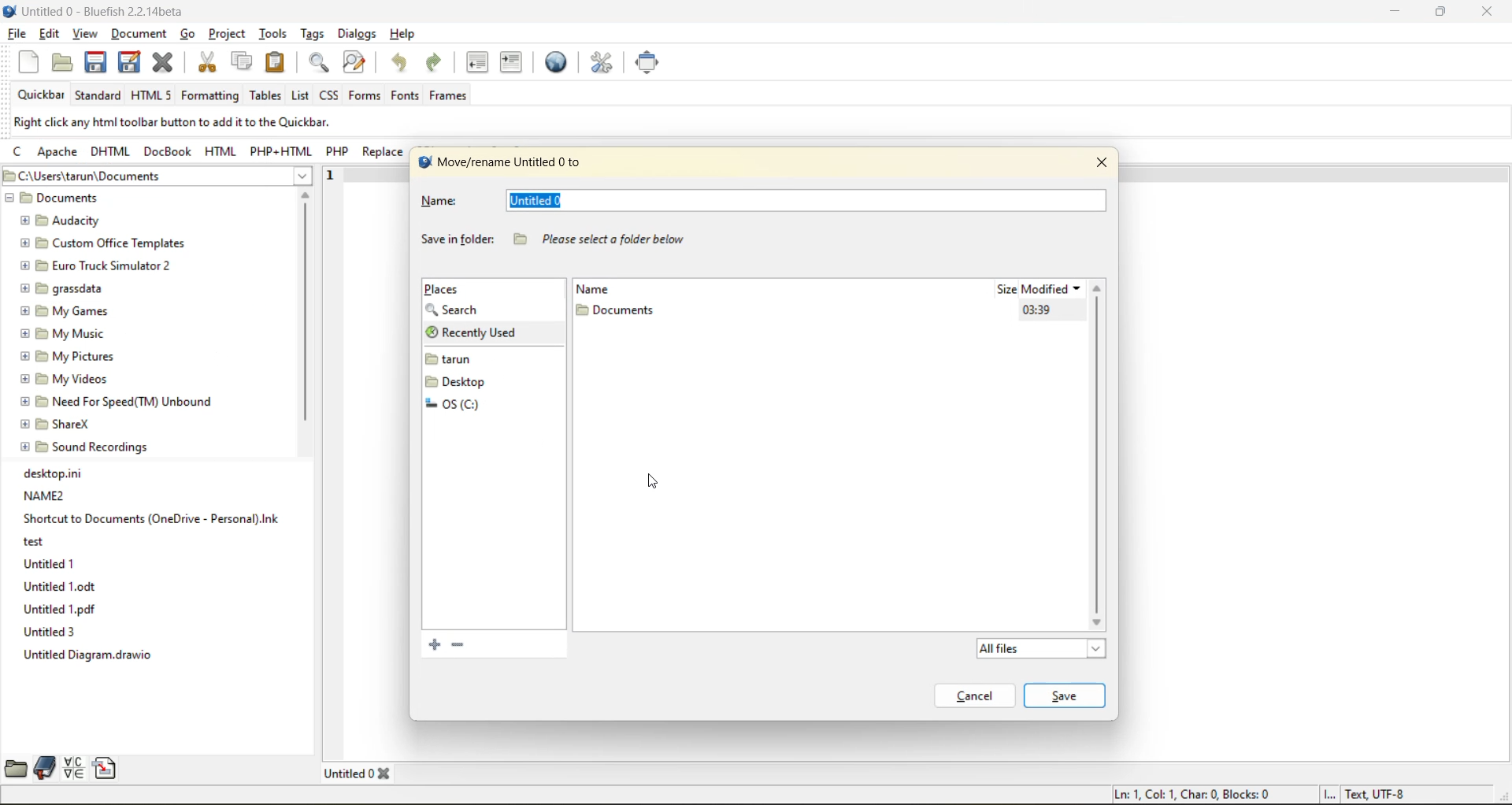 The image size is (1512, 805). Describe the element at coordinates (109, 153) in the screenshot. I see `dhtml` at that location.